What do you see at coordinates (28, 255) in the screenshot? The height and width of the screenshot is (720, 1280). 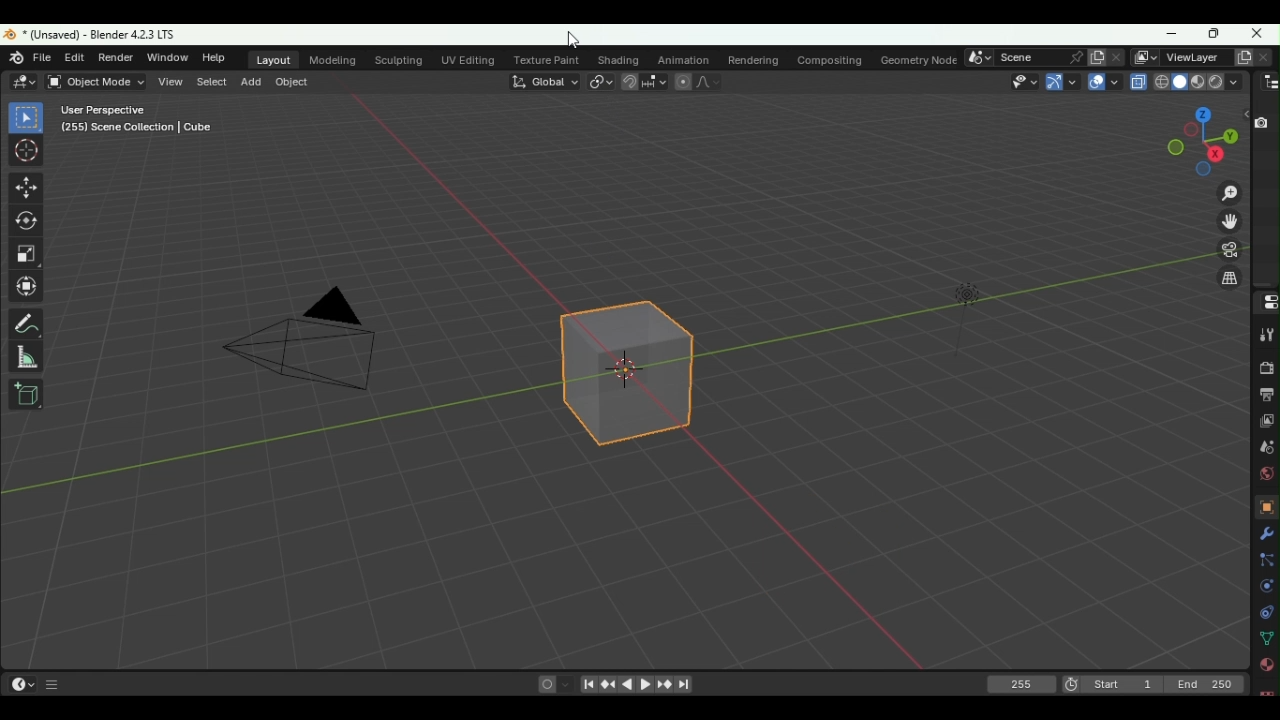 I see `scale` at bounding box center [28, 255].